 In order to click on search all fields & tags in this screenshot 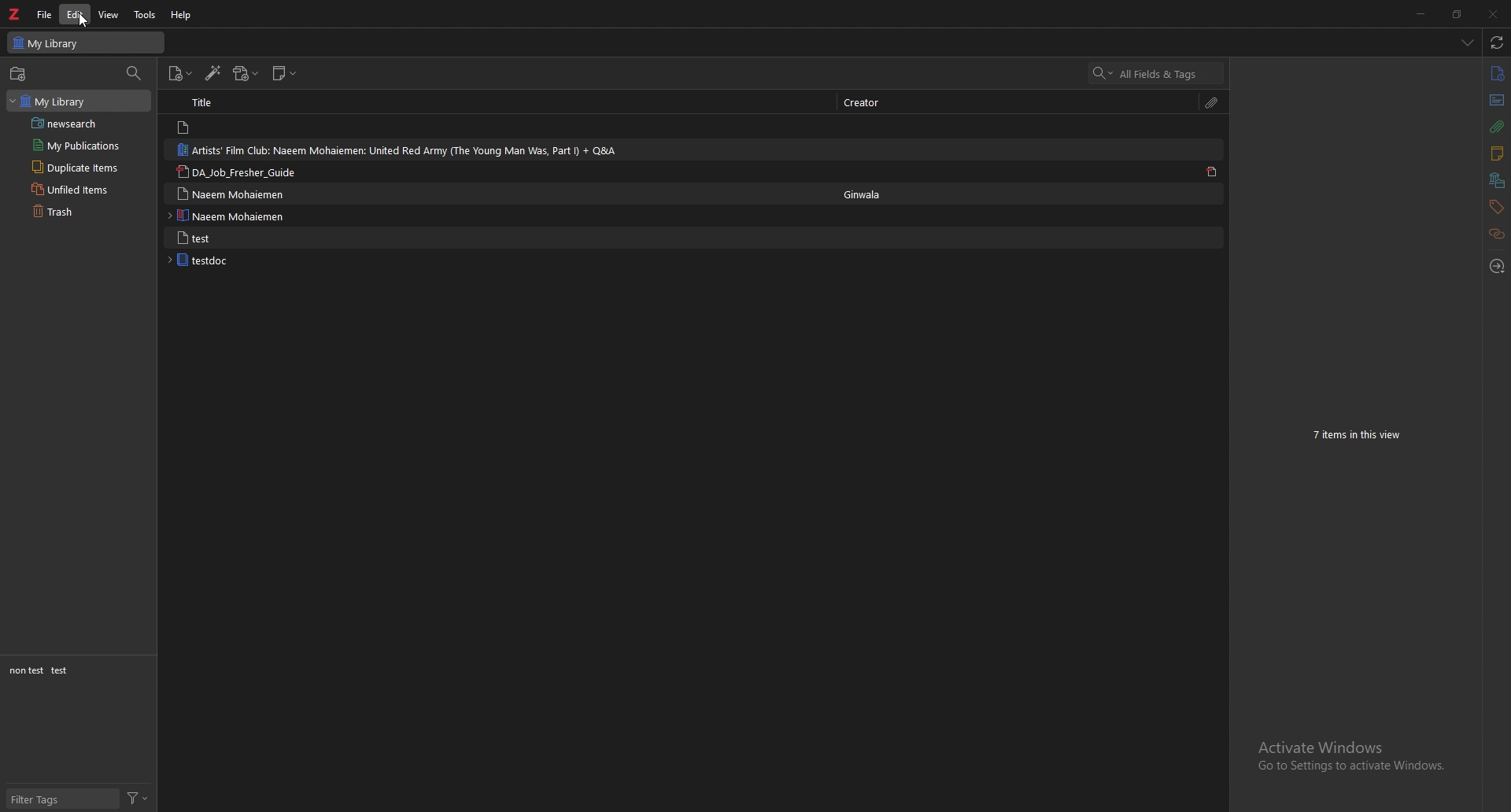, I will do `click(1157, 73)`.